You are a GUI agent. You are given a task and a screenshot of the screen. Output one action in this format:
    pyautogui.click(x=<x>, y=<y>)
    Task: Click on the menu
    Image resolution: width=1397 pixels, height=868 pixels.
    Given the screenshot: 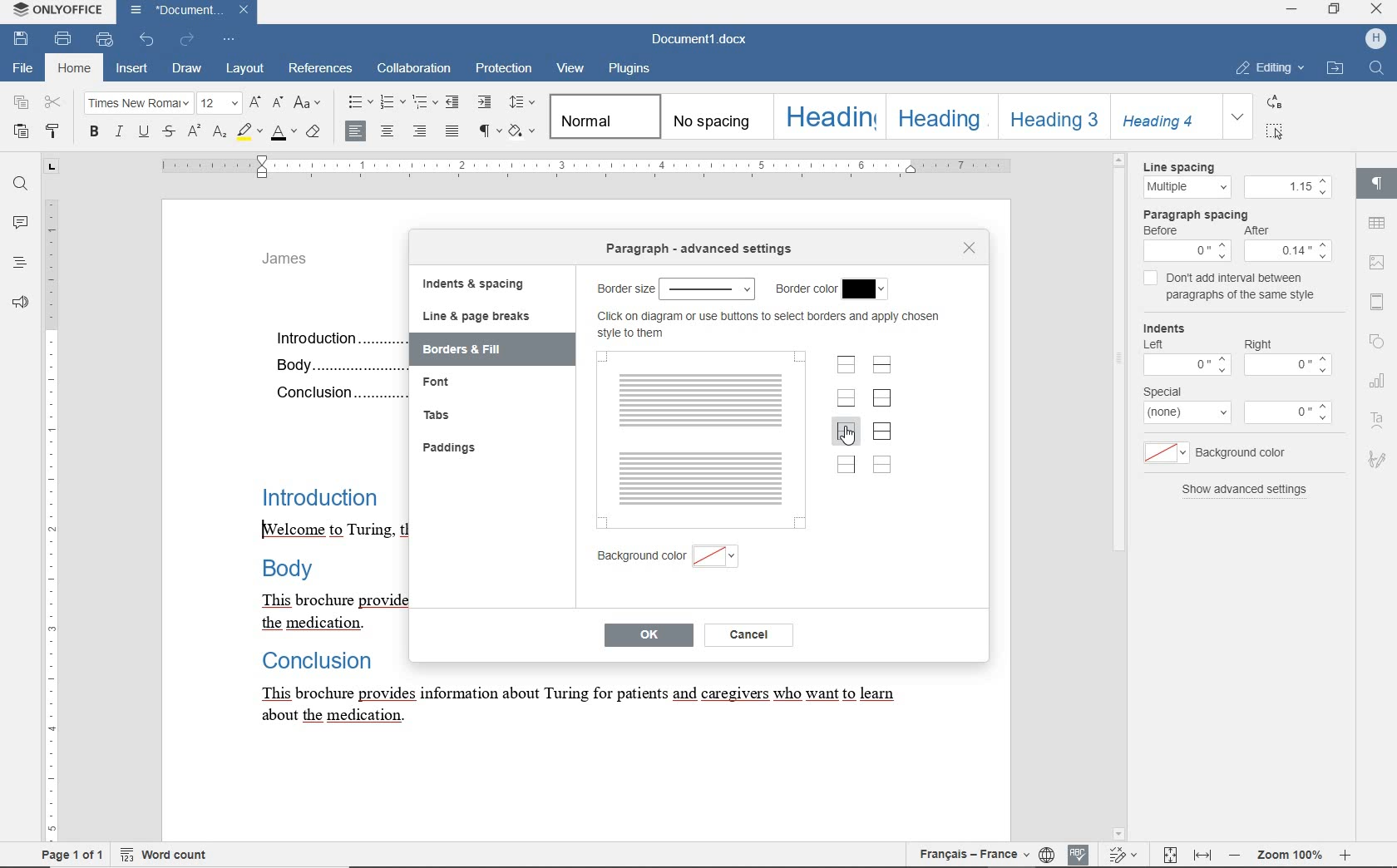 What is the action you would take?
    pyautogui.click(x=1187, y=251)
    